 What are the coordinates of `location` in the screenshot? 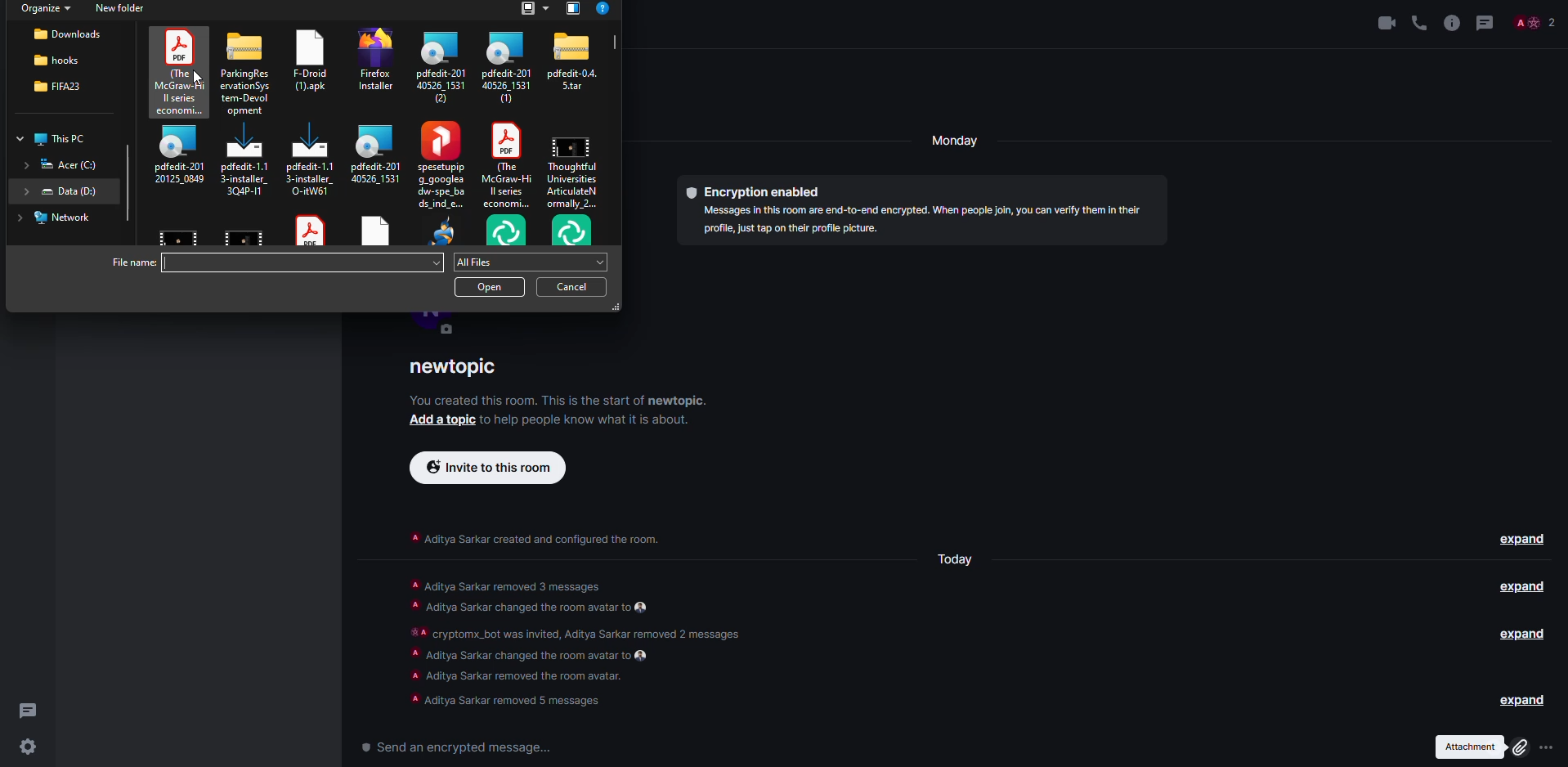 It's located at (59, 164).